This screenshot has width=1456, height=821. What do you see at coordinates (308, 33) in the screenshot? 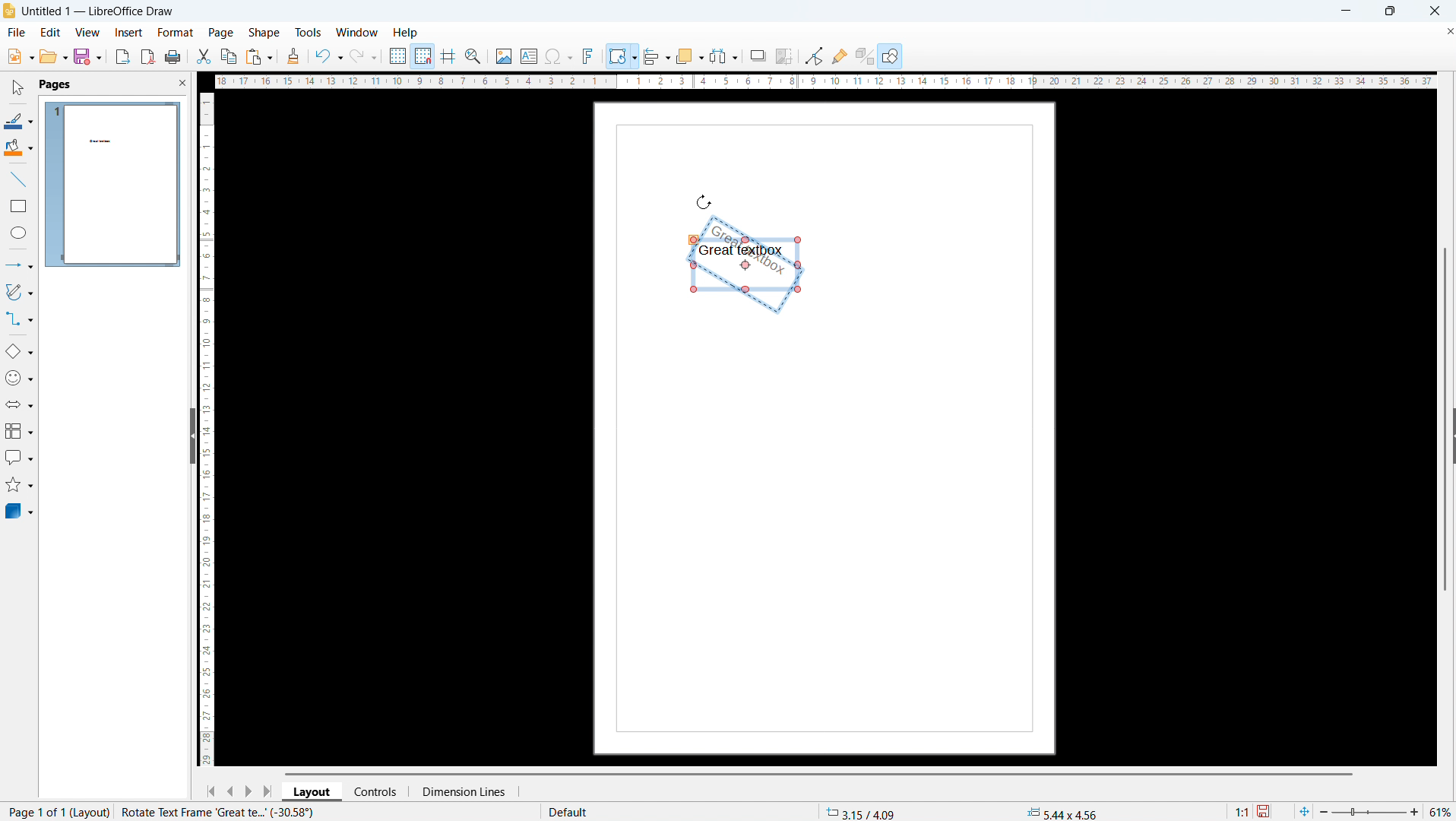
I see `tools` at bounding box center [308, 33].